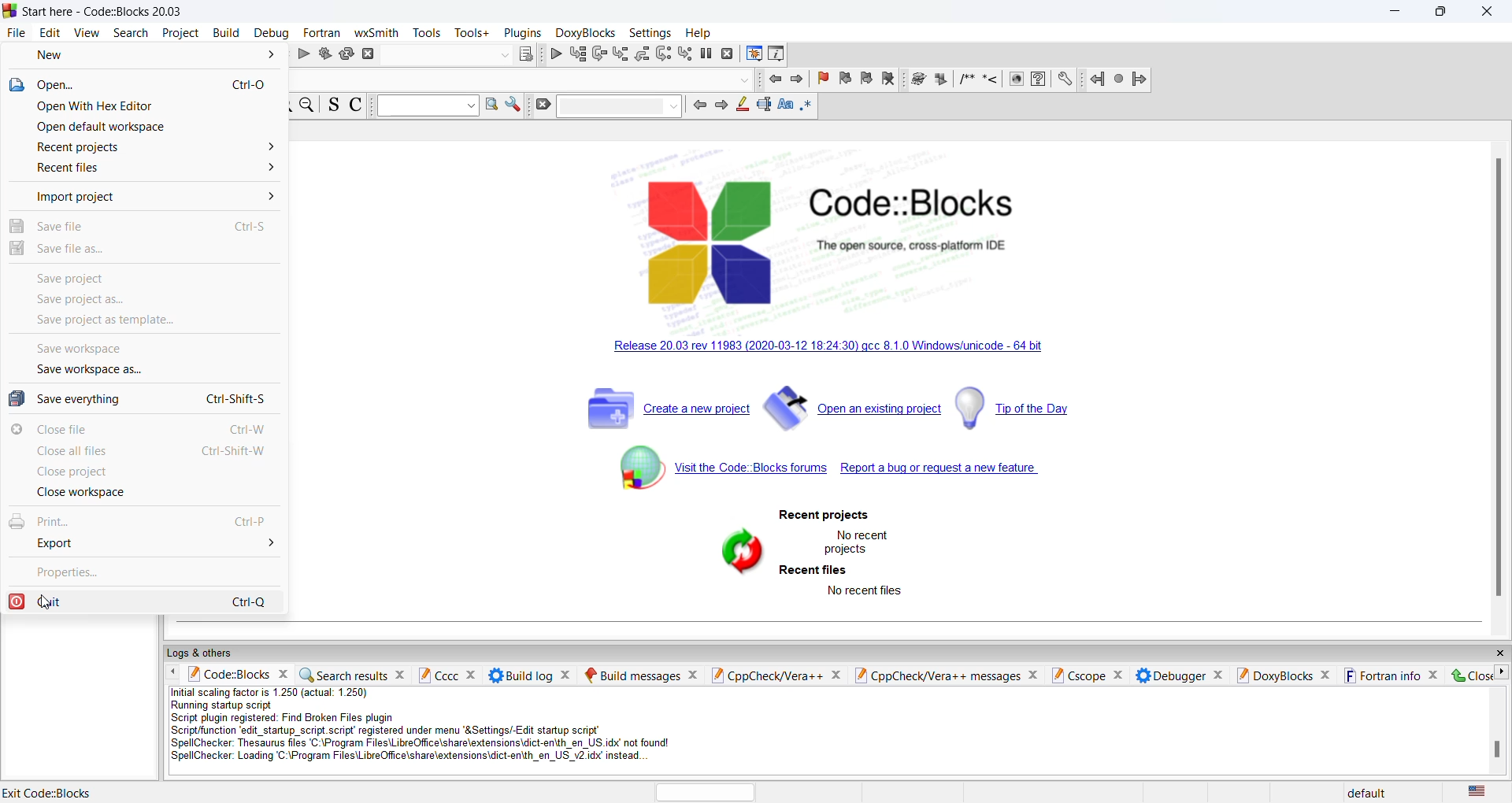 This screenshot has height=803, width=1512. What do you see at coordinates (706, 53) in the screenshot?
I see `pause debugging` at bounding box center [706, 53].